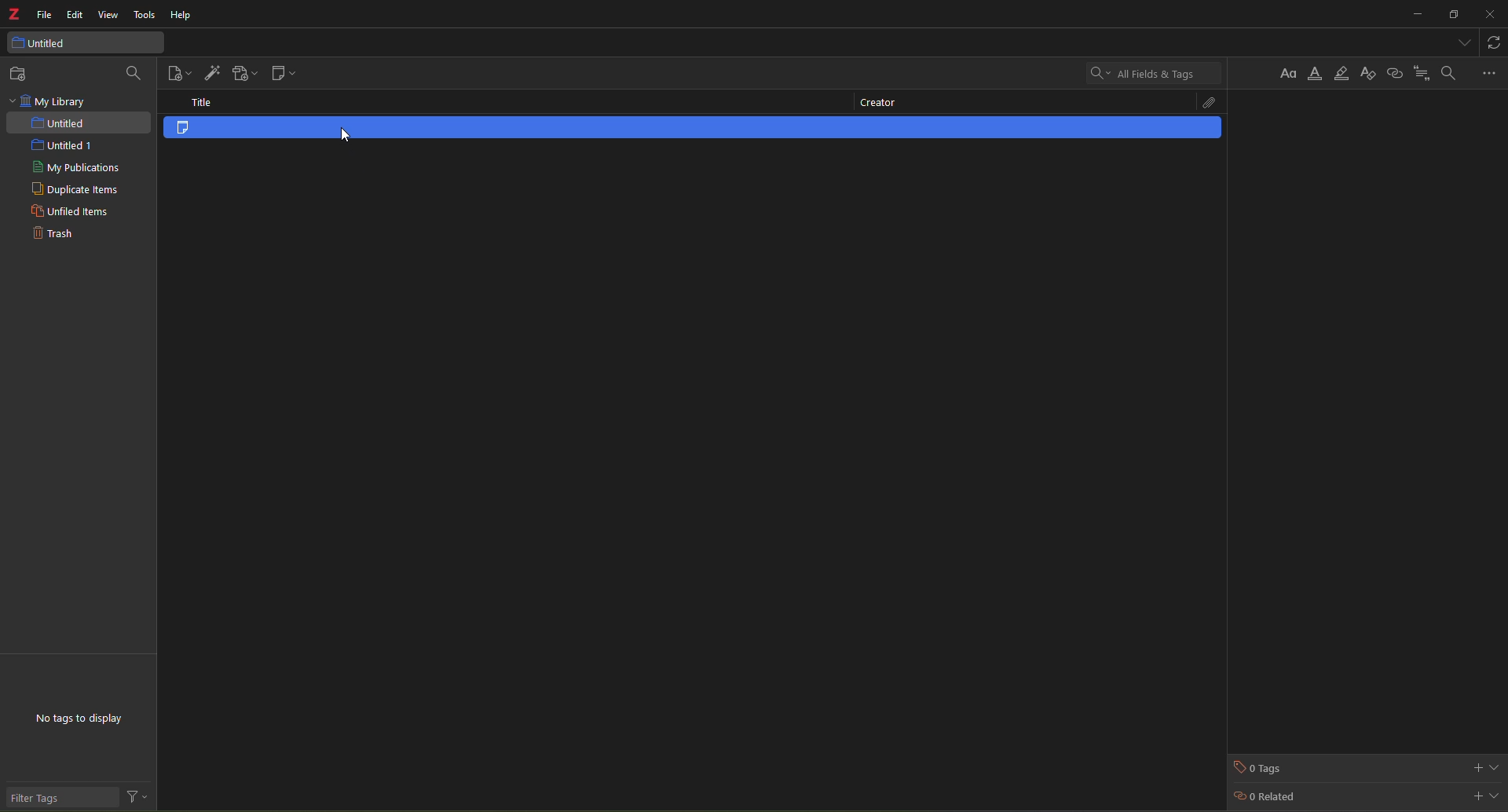 This screenshot has width=1508, height=812. What do you see at coordinates (1451, 15) in the screenshot?
I see `maximize` at bounding box center [1451, 15].